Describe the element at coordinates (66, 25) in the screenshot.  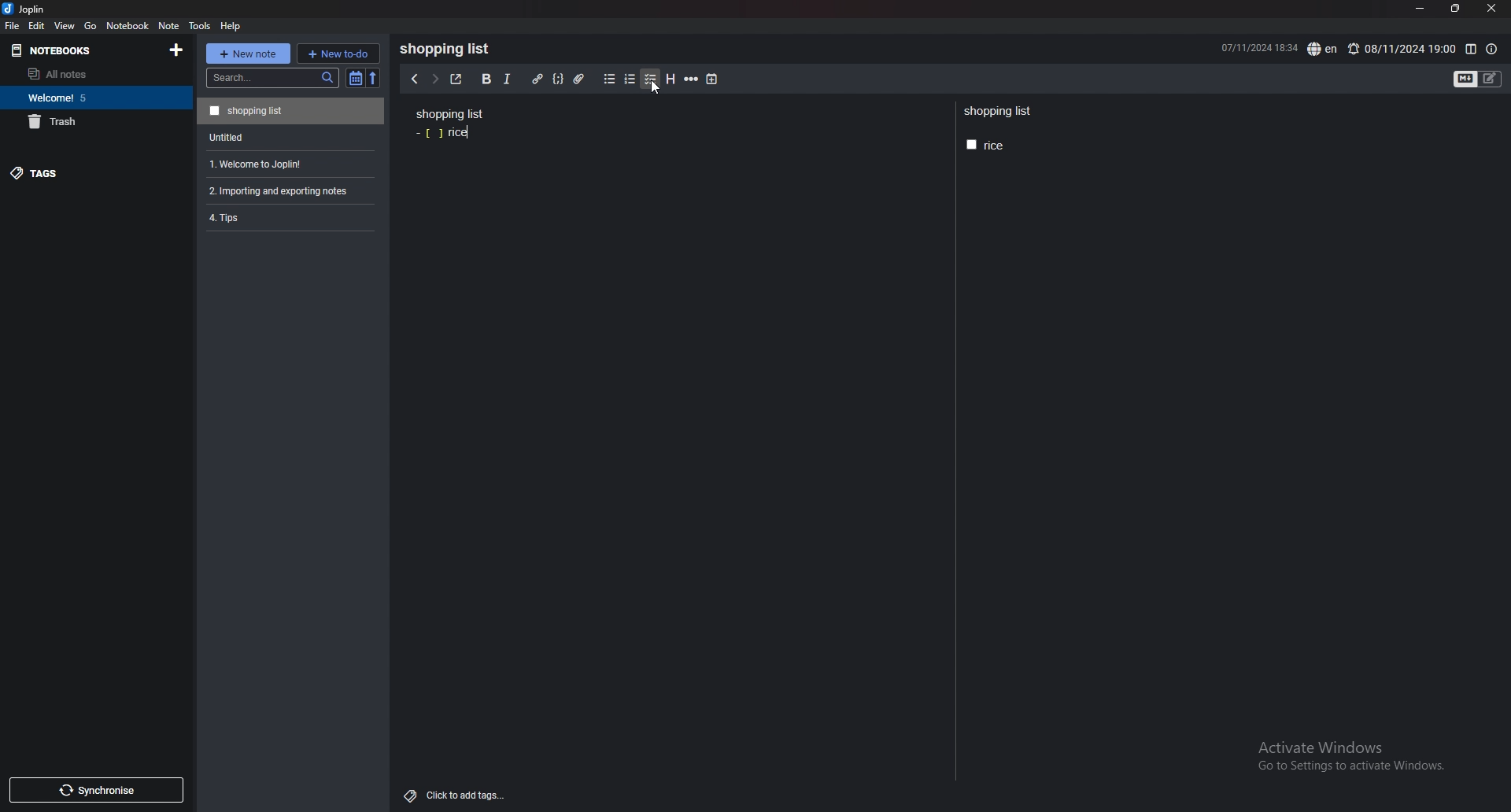
I see `view` at that location.